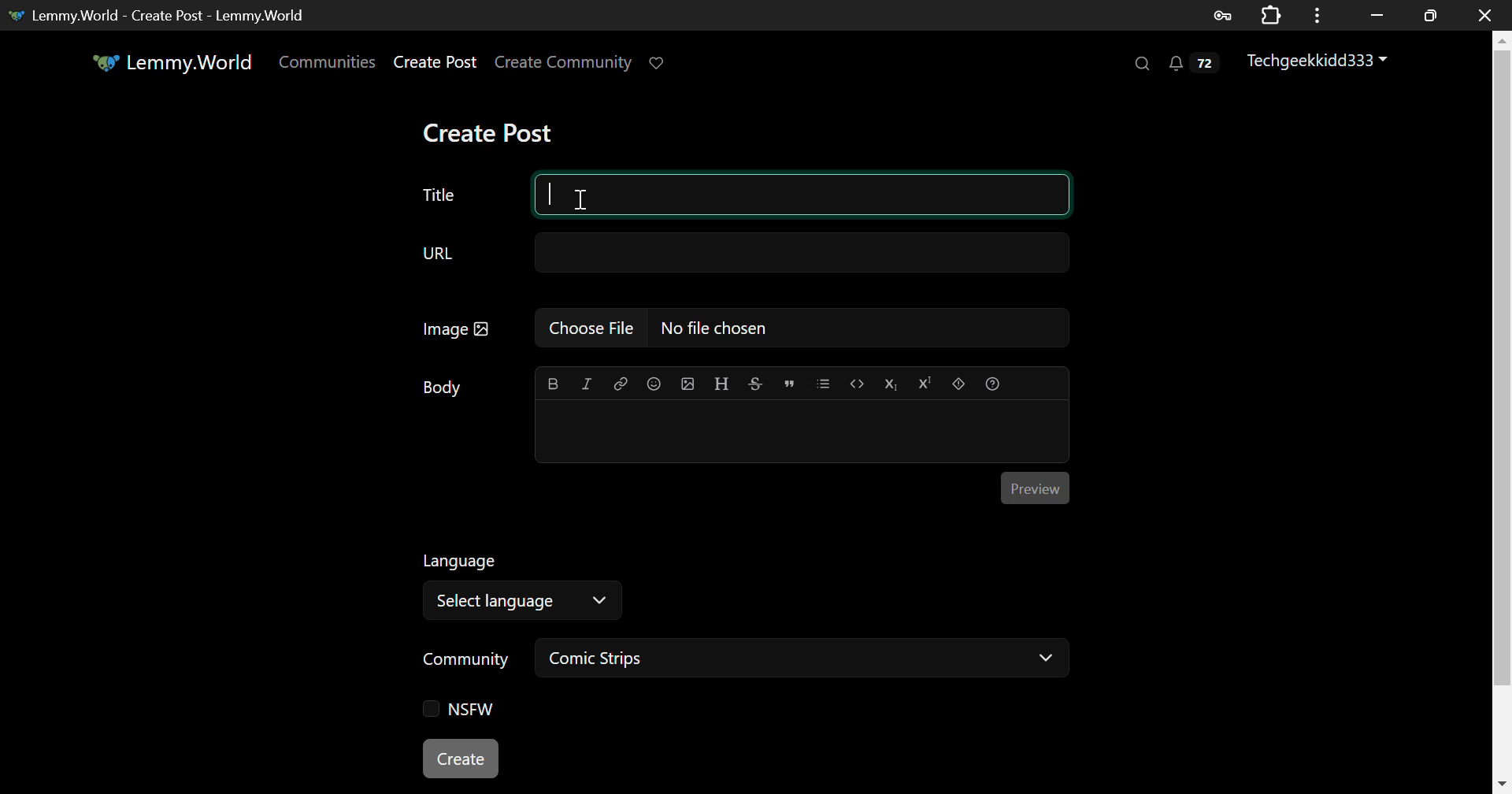  Describe the element at coordinates (702, 583) in the screenshot. I see `Select Language` at that location.